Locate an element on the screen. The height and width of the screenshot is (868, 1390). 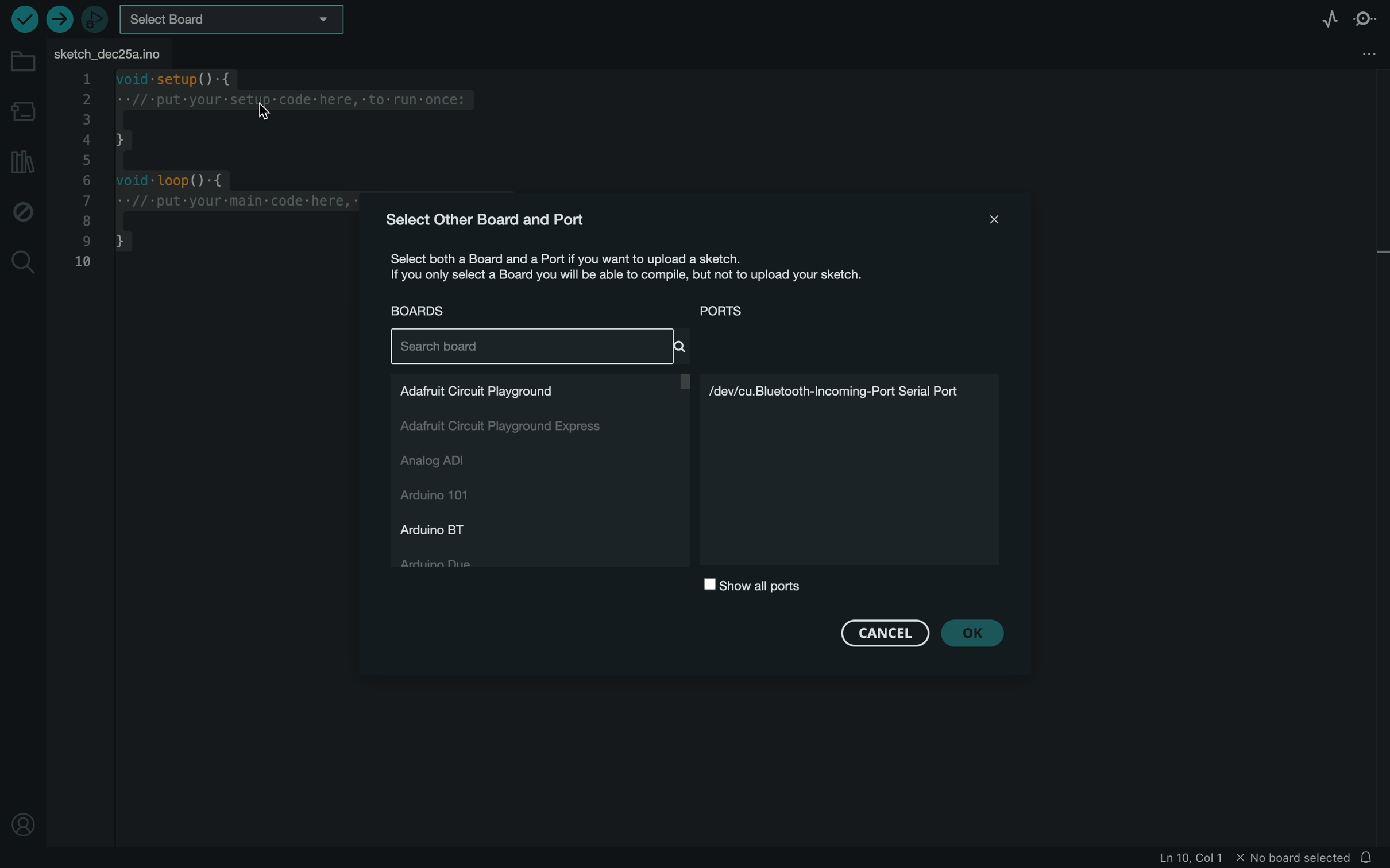
Boards is located at coordinates (424, 311).